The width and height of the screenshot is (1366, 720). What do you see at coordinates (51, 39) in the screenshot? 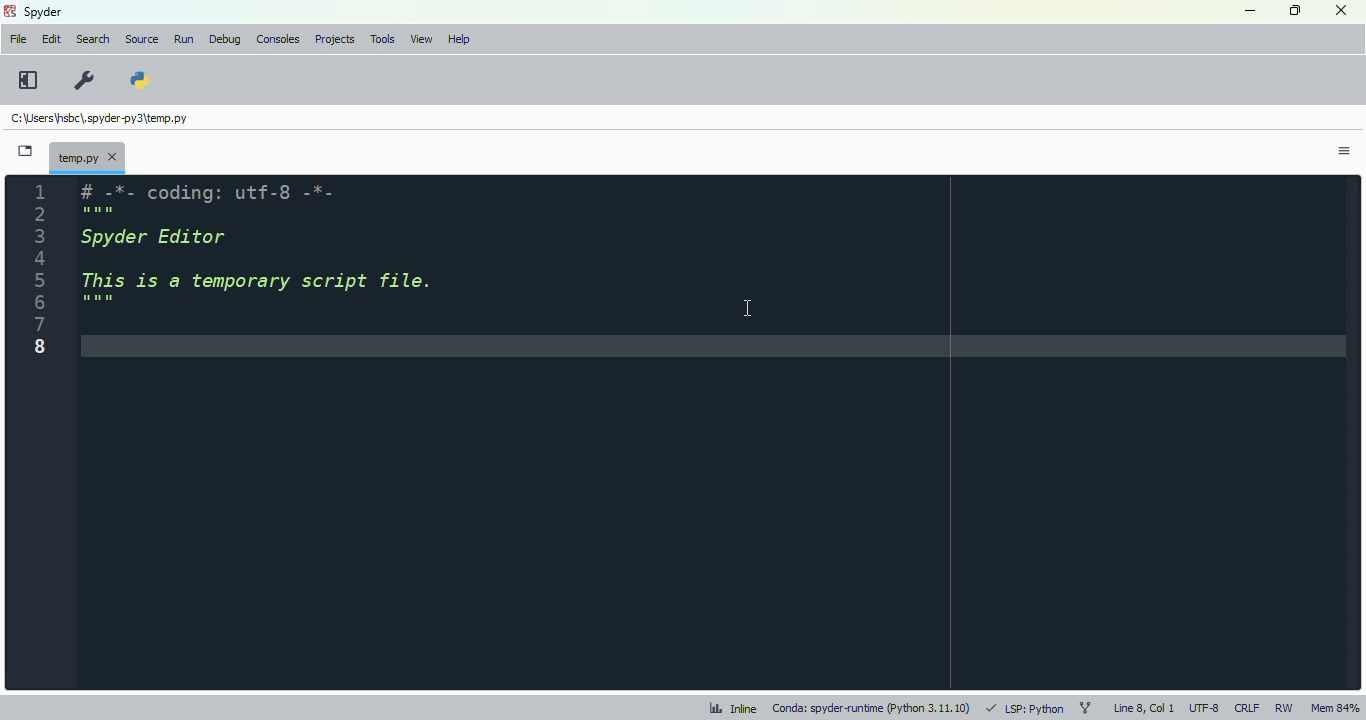
I see `edit` at bounding box center [51, 39].